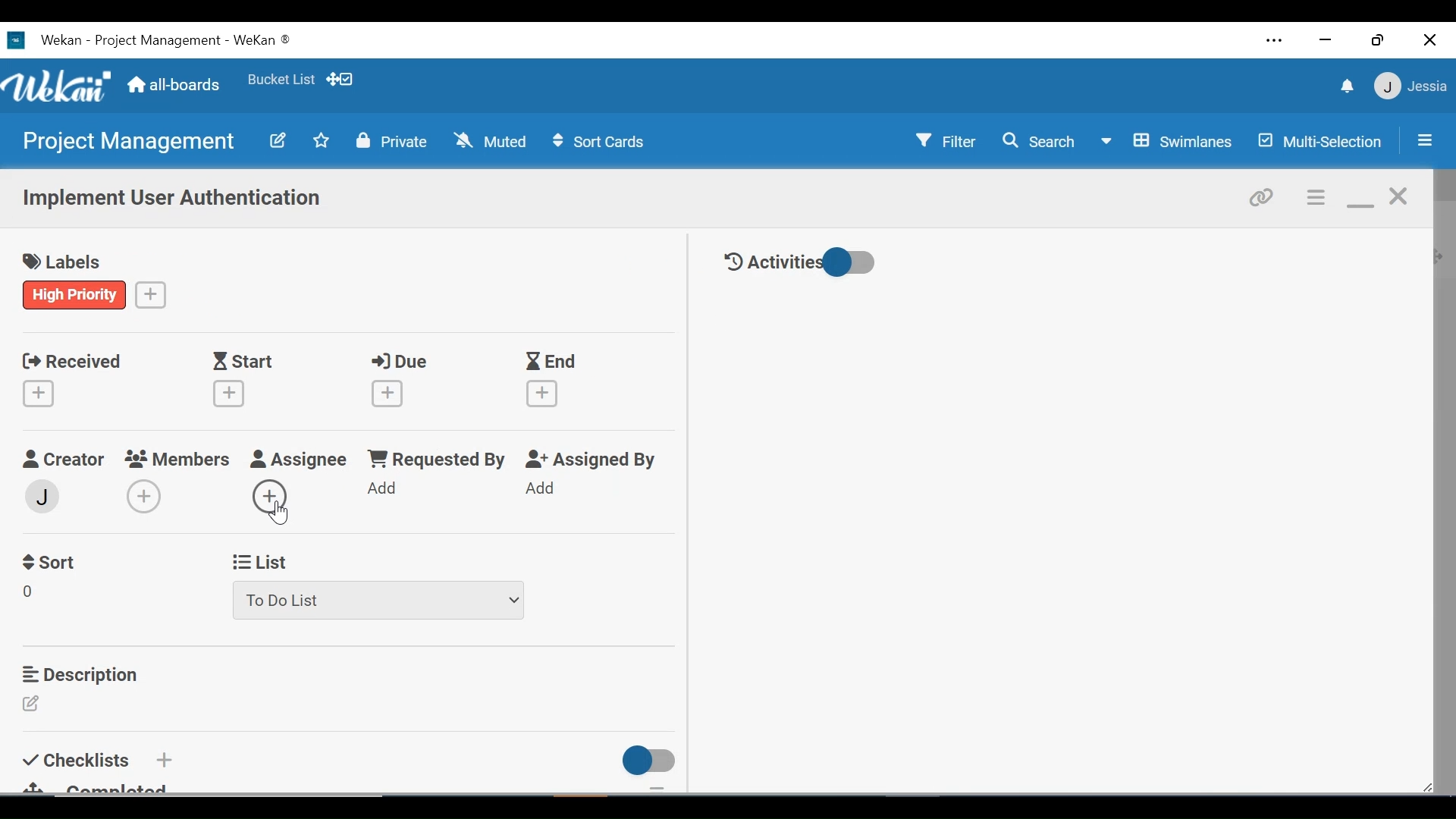 The width and height of the screenshot is (1456, 819). I want to click on Sort Cards, so click(597, 142).